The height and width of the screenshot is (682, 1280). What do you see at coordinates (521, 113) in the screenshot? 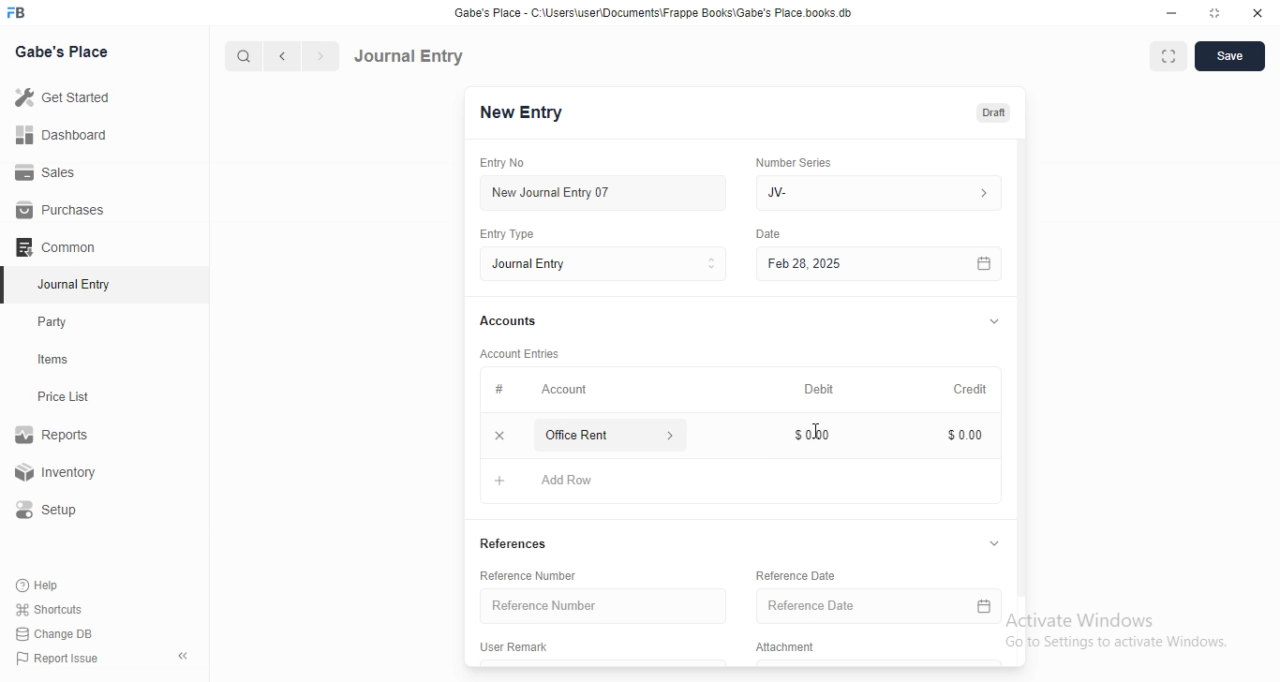
I see `New Entry` at bounding box center [521, 113].